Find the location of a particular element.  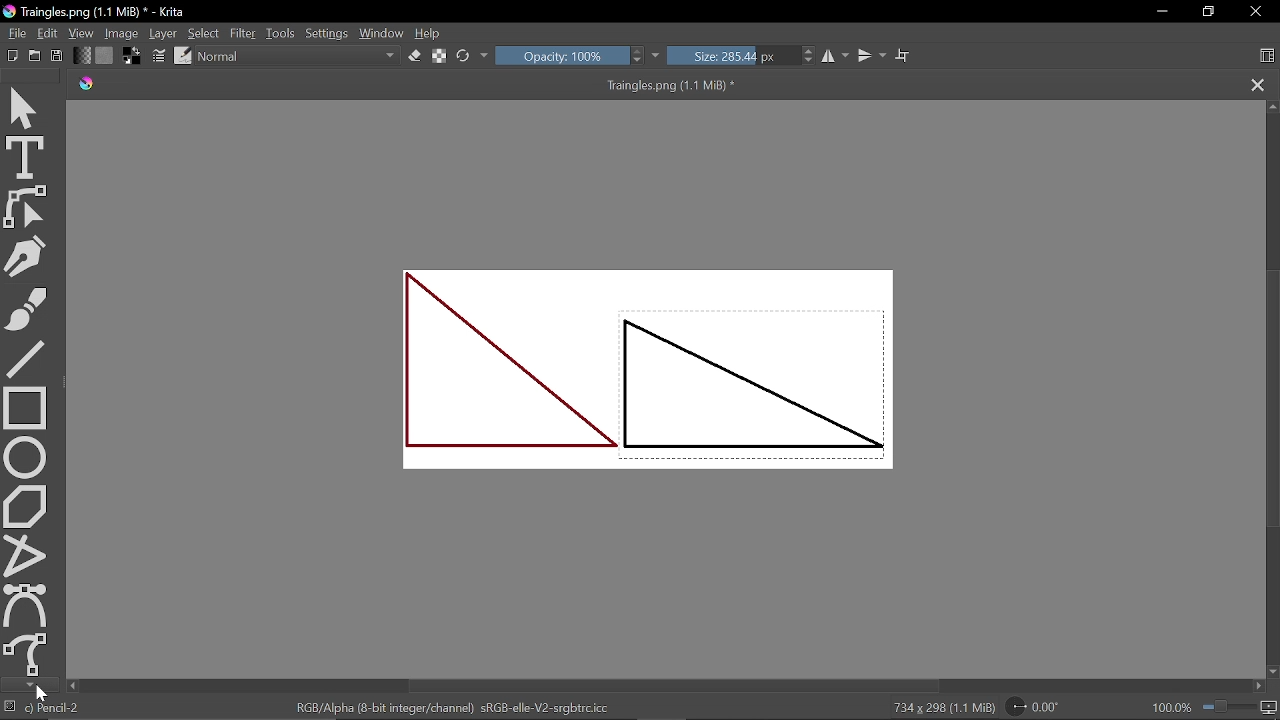

Traingles.png (1.1 MiB) * - Krita is located at coordinates (98, 13).